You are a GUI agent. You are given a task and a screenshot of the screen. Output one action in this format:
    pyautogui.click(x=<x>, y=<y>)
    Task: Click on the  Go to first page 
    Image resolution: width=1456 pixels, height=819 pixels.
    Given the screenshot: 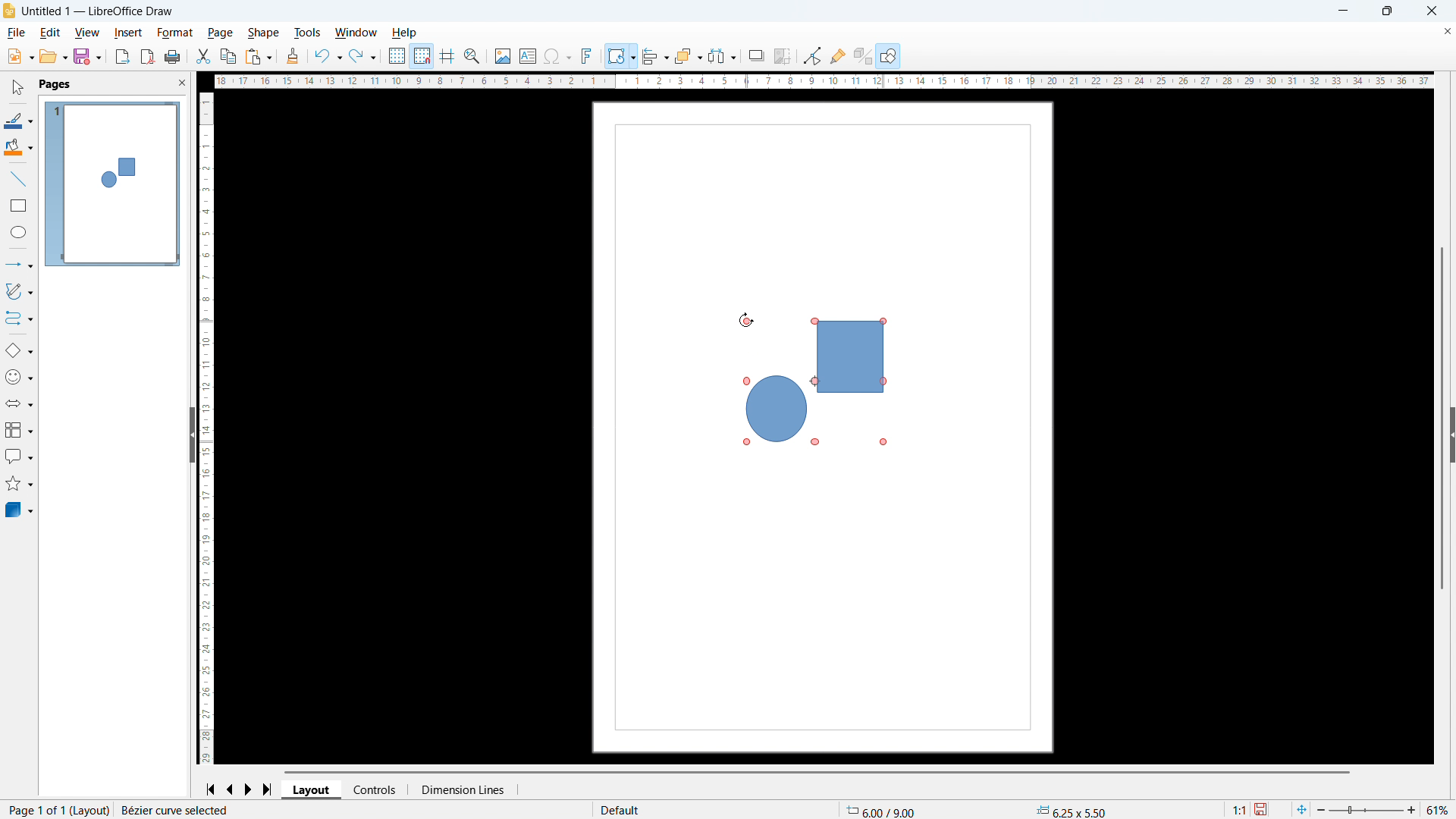 What is the action you would take?
    pyautogui.click(x=212, y=790)
    